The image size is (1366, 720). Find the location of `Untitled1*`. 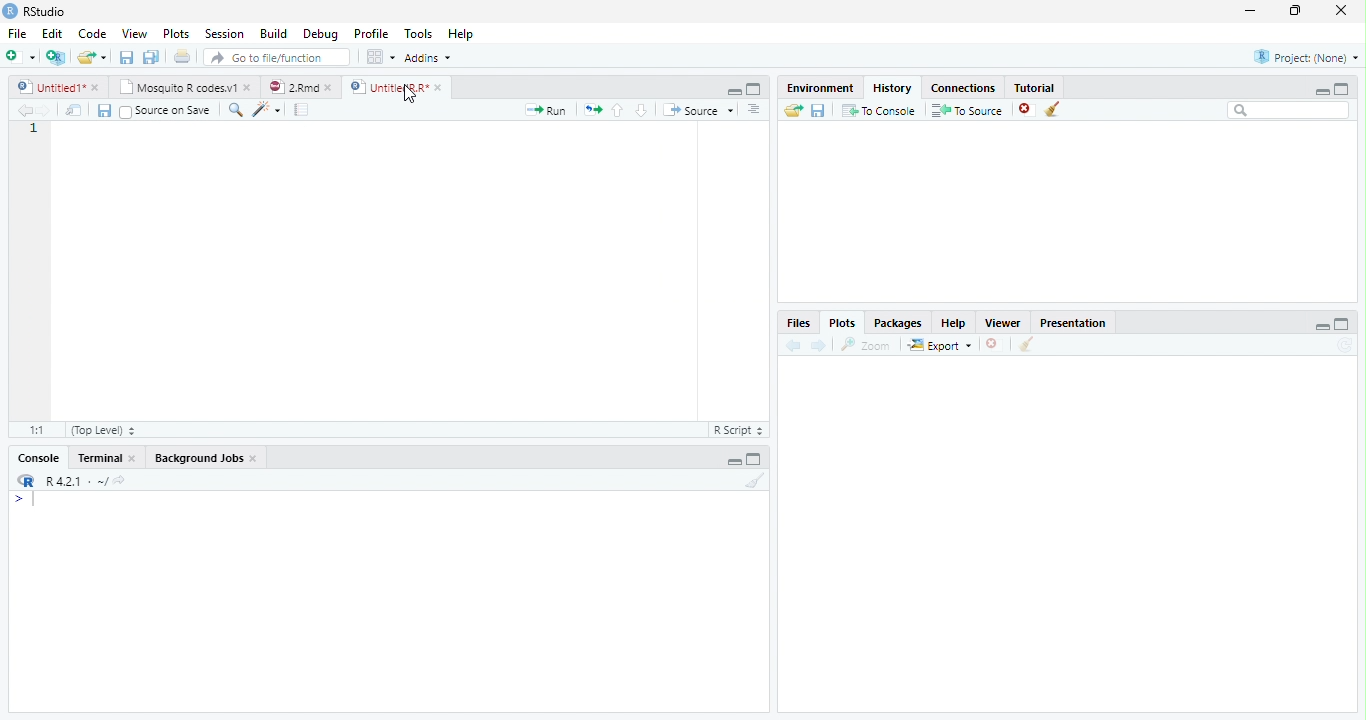

Untitled1* is located at coordinates (49, 87).